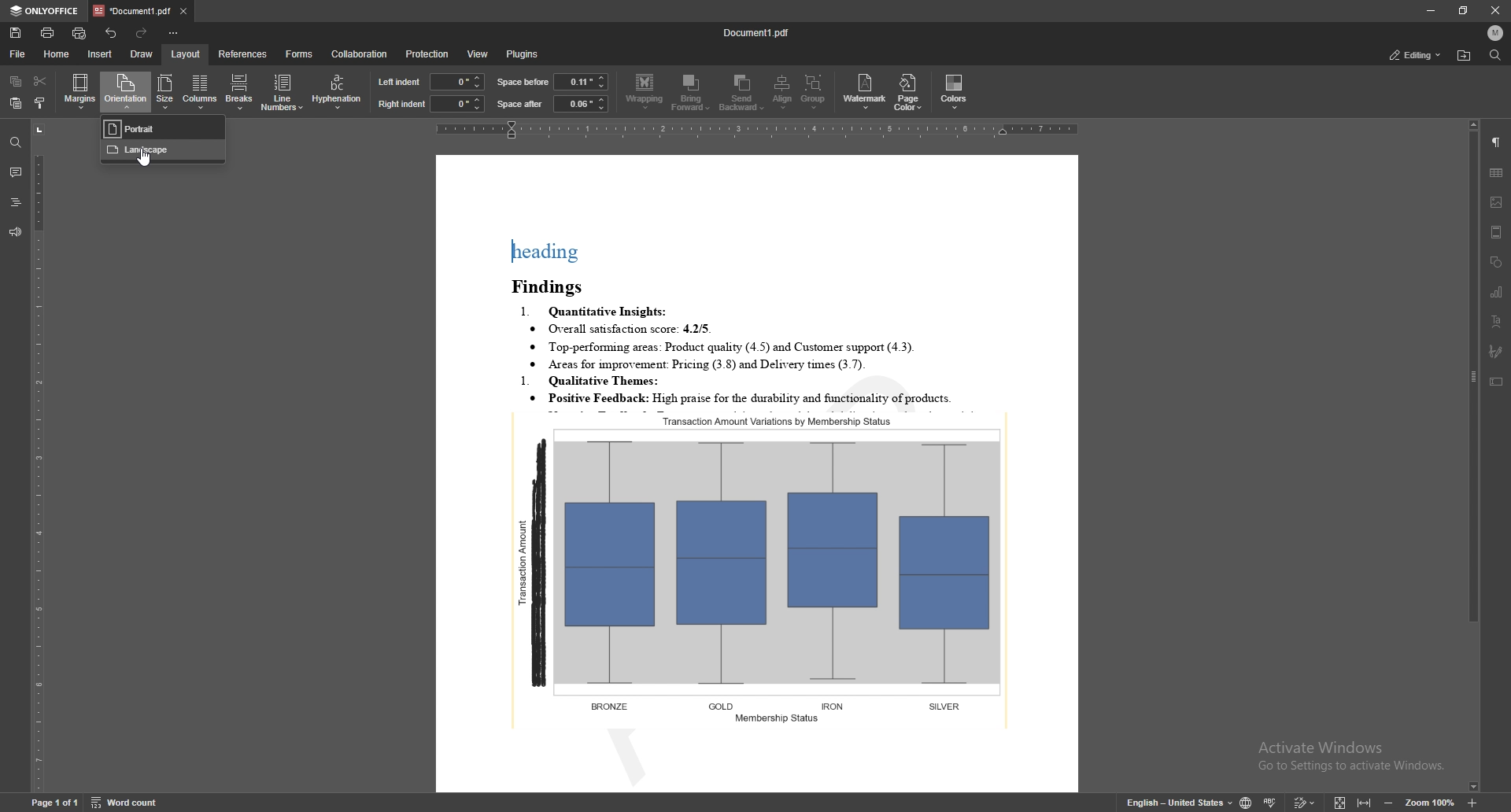 Image resolution: width=1511 pixels, height=812 pixels. What do you see at coordinates (79, 33) in the screenshot?
I see `quick print` at bounding box center [79, 33].